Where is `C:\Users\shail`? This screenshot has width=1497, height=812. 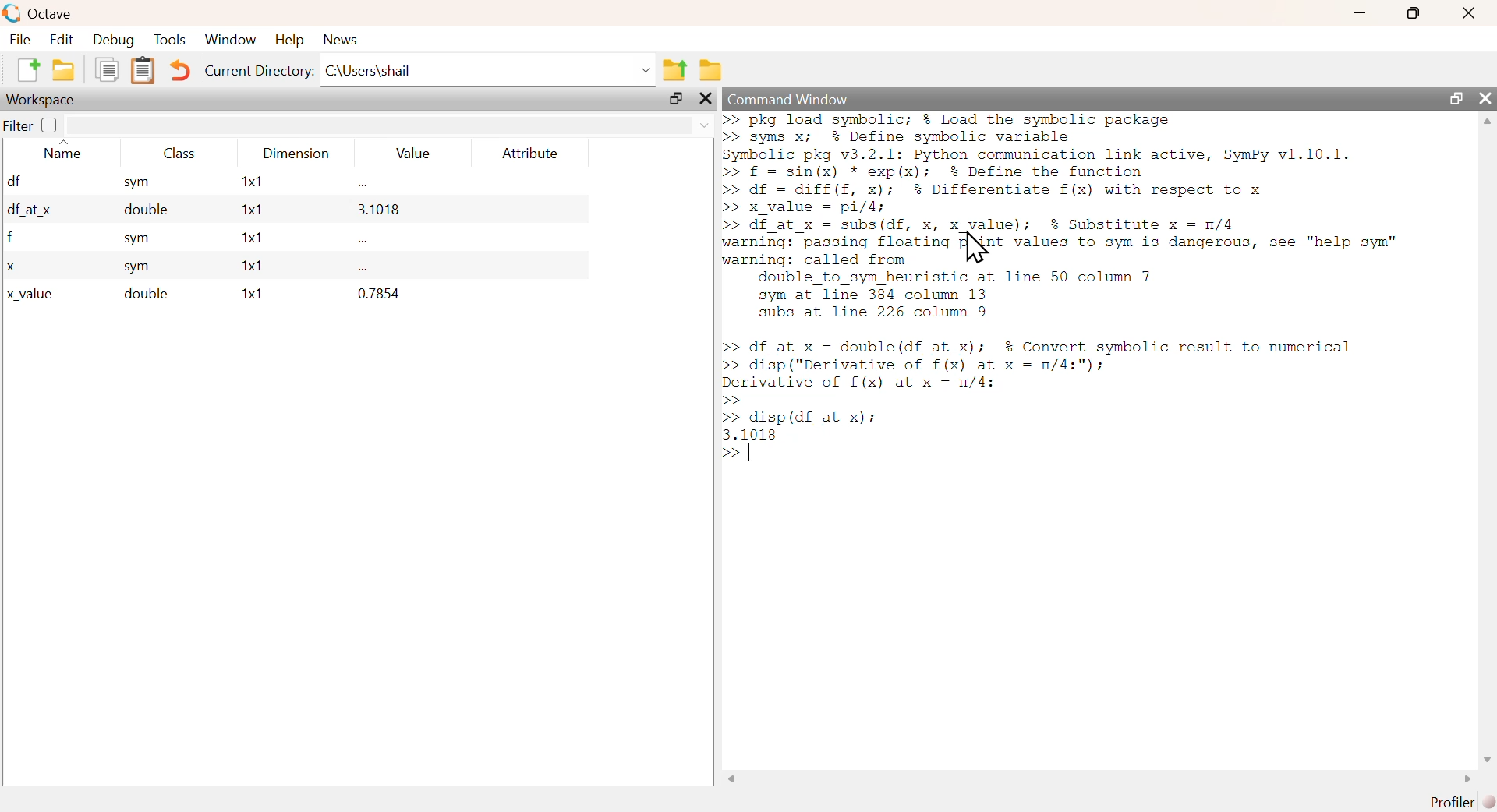 C:\Users\shail is located at coordinates (487, 70).